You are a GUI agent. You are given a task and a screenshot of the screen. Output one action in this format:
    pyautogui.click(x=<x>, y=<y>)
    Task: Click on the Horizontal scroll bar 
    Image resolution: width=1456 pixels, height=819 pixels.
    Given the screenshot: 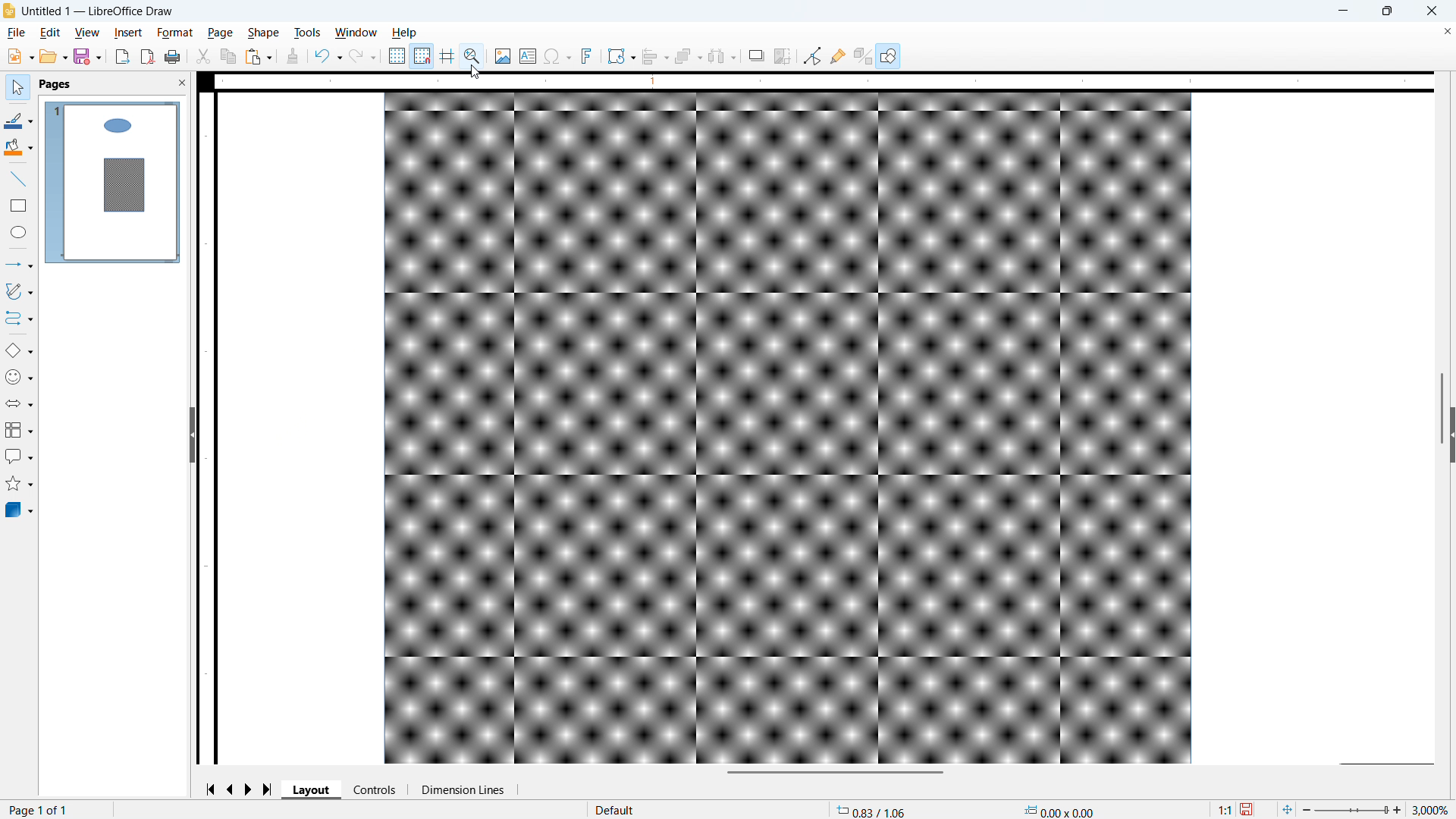 What is the action you would take?
    pyautogui.click(x=834, y=773)
    